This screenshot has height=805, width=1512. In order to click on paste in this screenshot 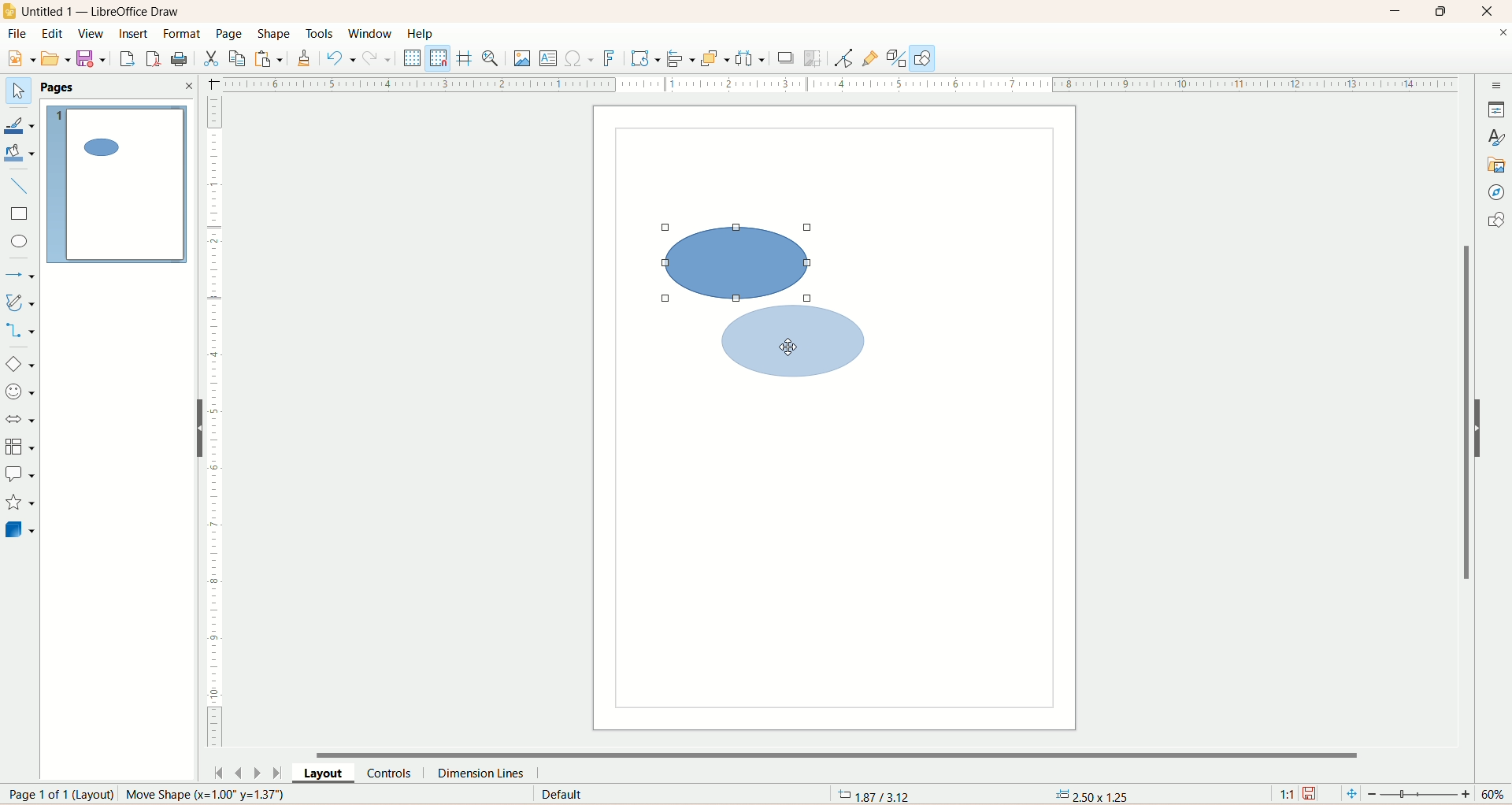, I will do `click(268, 58)`.